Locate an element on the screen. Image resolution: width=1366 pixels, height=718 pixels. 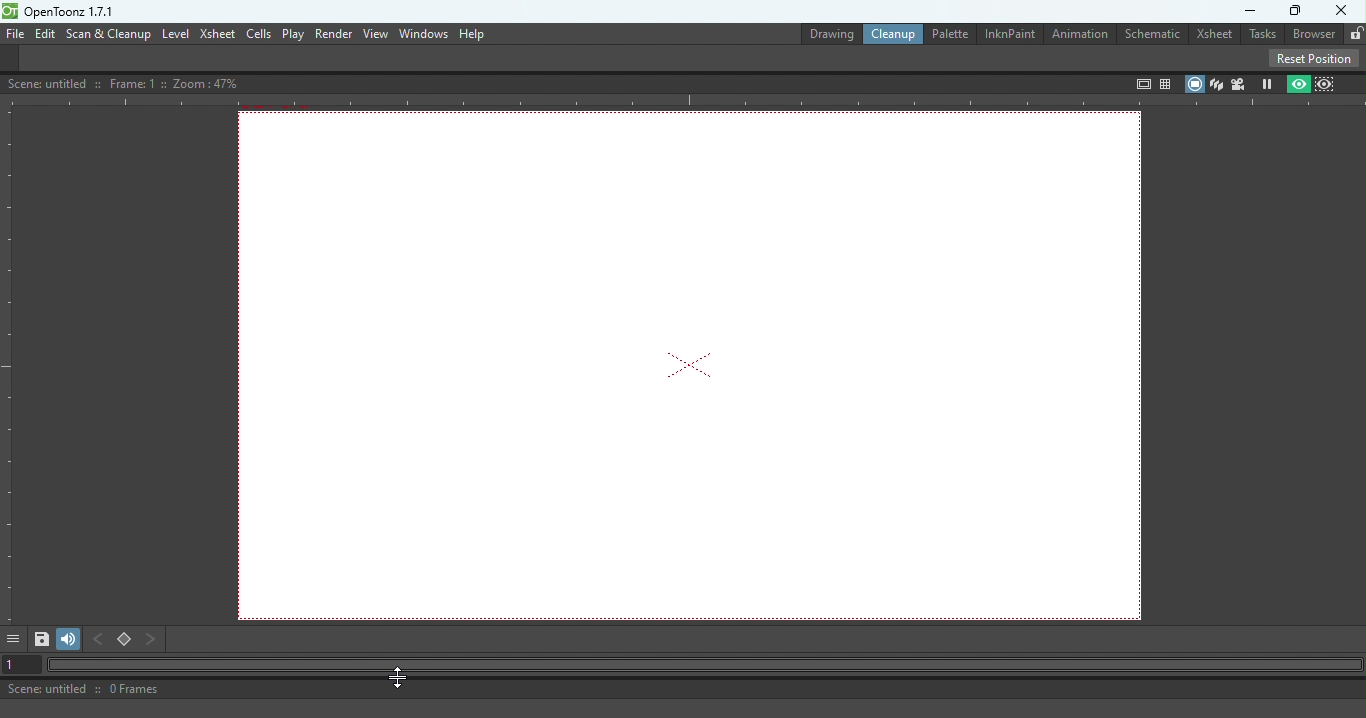
Canvas details is located at coordinates (127, 82).